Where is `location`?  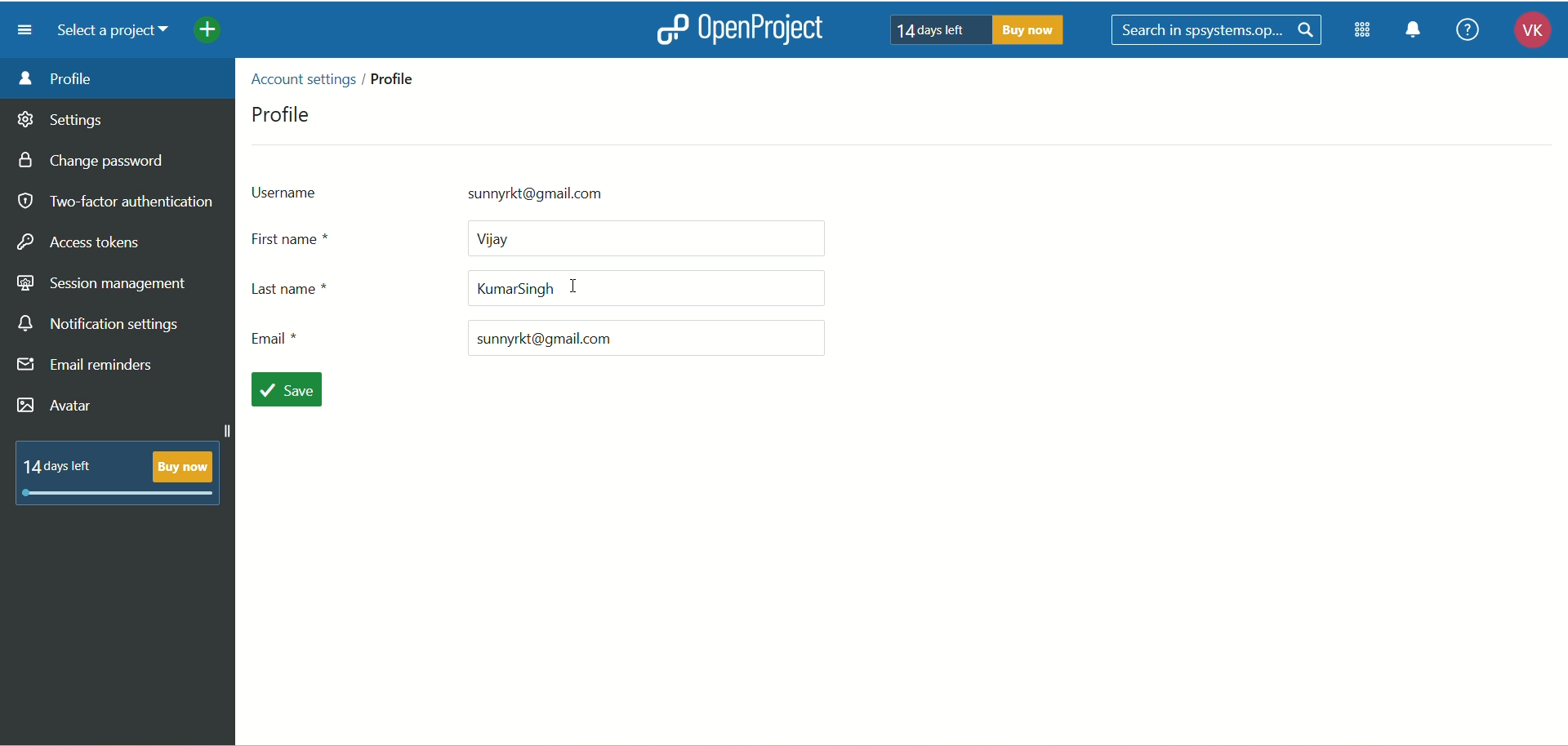 location is located at coordinates (340, 77).